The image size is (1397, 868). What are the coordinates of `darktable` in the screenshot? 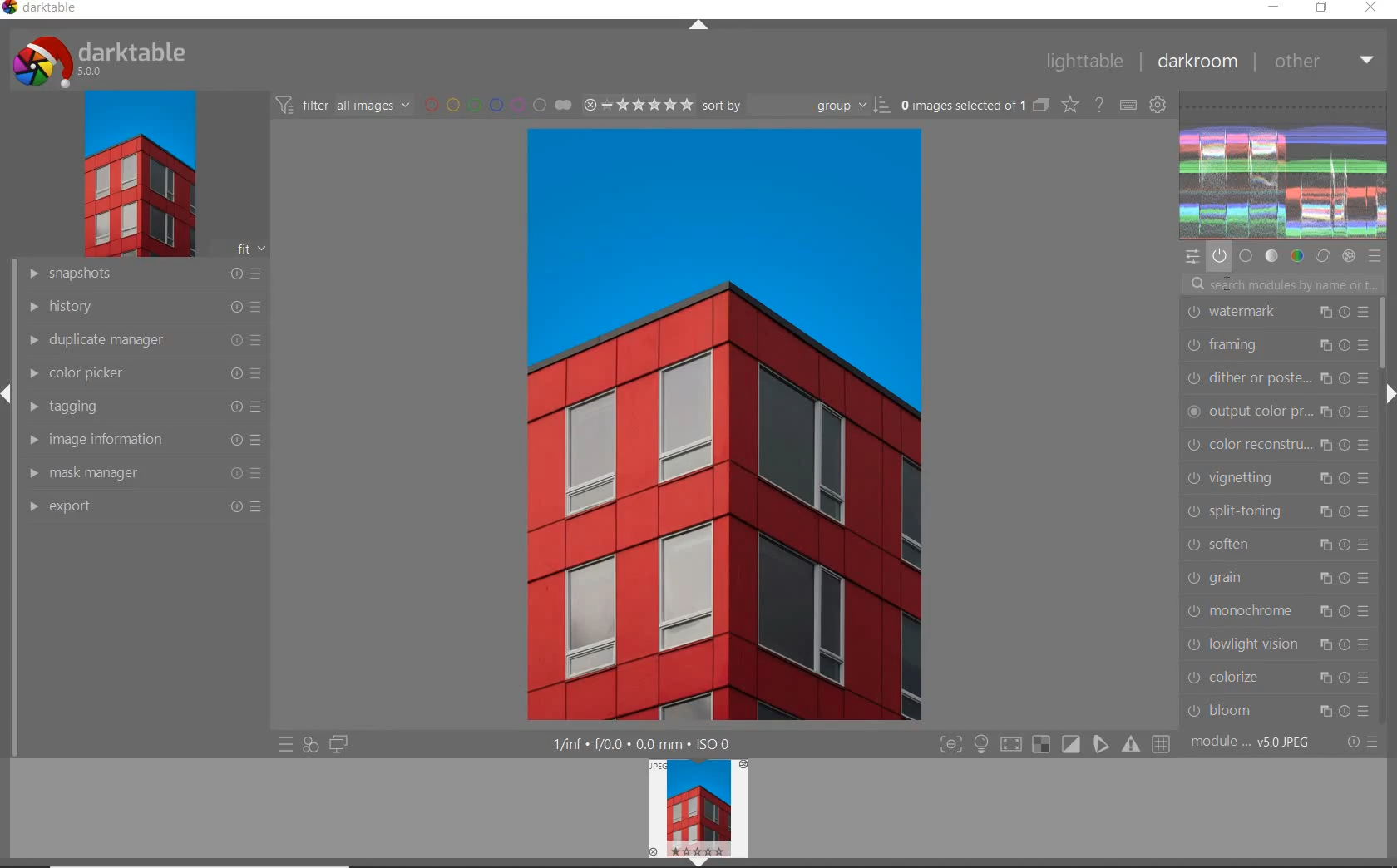 It's located at (49, 11).